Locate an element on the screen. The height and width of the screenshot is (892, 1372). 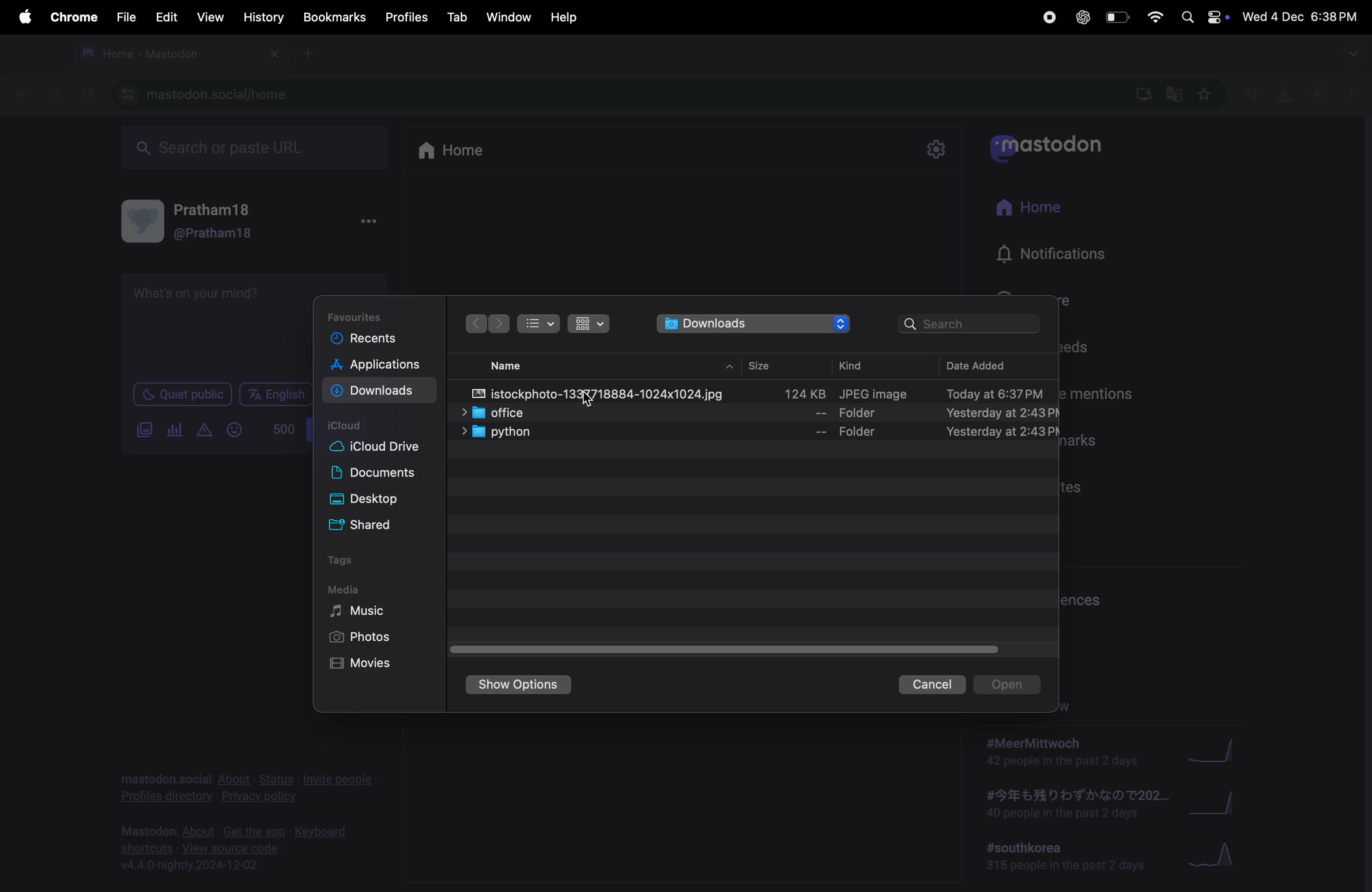
help is located at coordinates (566, 14).